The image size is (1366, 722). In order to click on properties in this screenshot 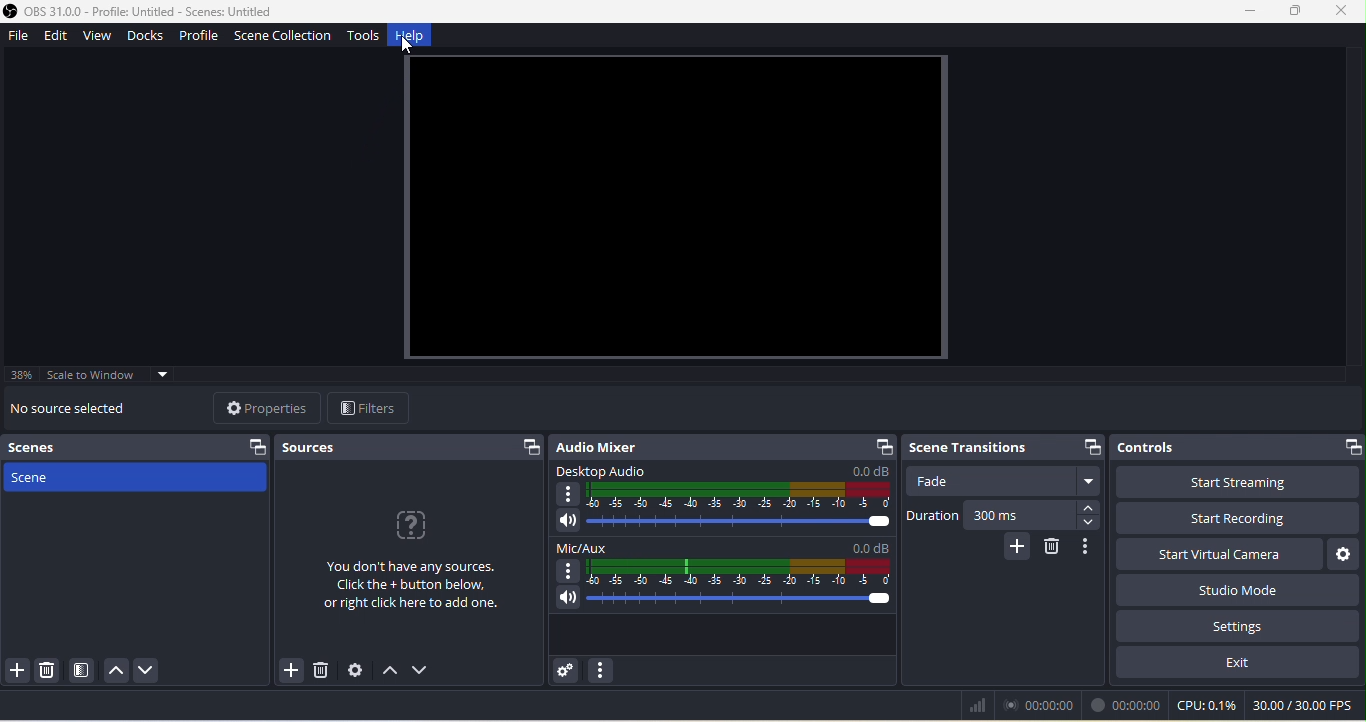, I will do `click(264, 407)`.